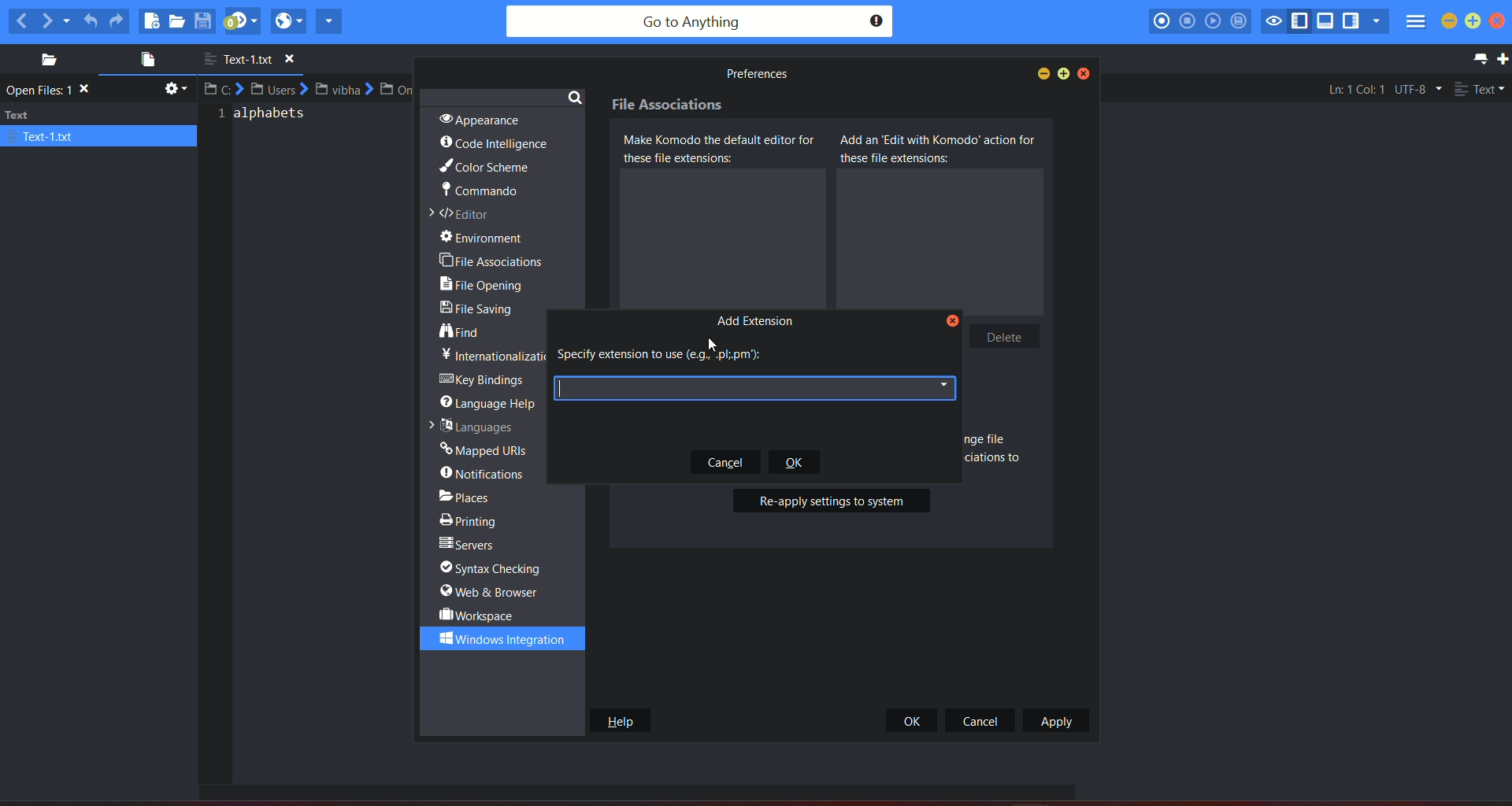  What do you see at coordinates (575, 96) in the screenshot?
I see `search` at bounding box center [575, 96].